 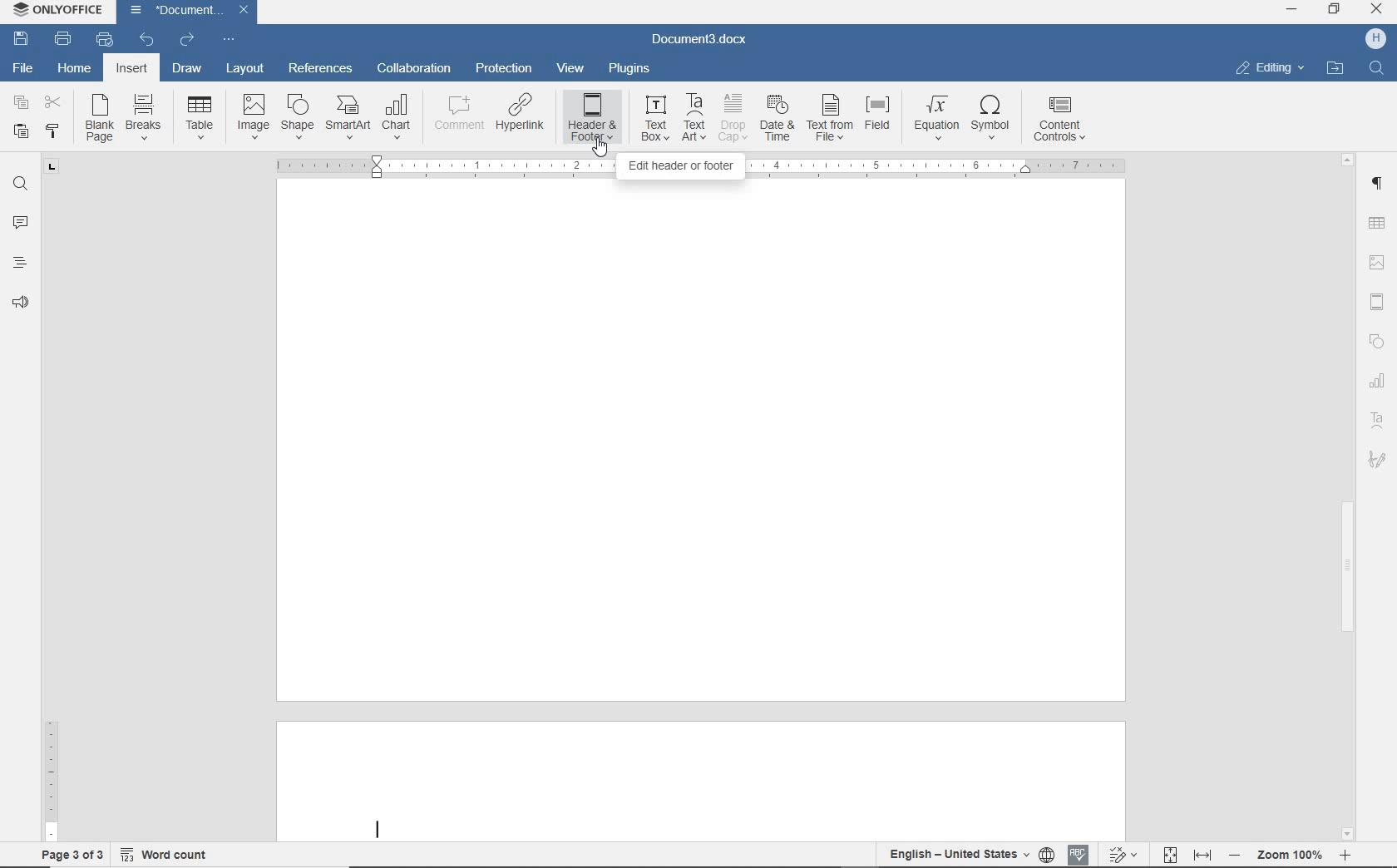 What do you see at coordinates (1380, 464) in the screenshot?
I see `Signature` at bounding box center [1380, 464].